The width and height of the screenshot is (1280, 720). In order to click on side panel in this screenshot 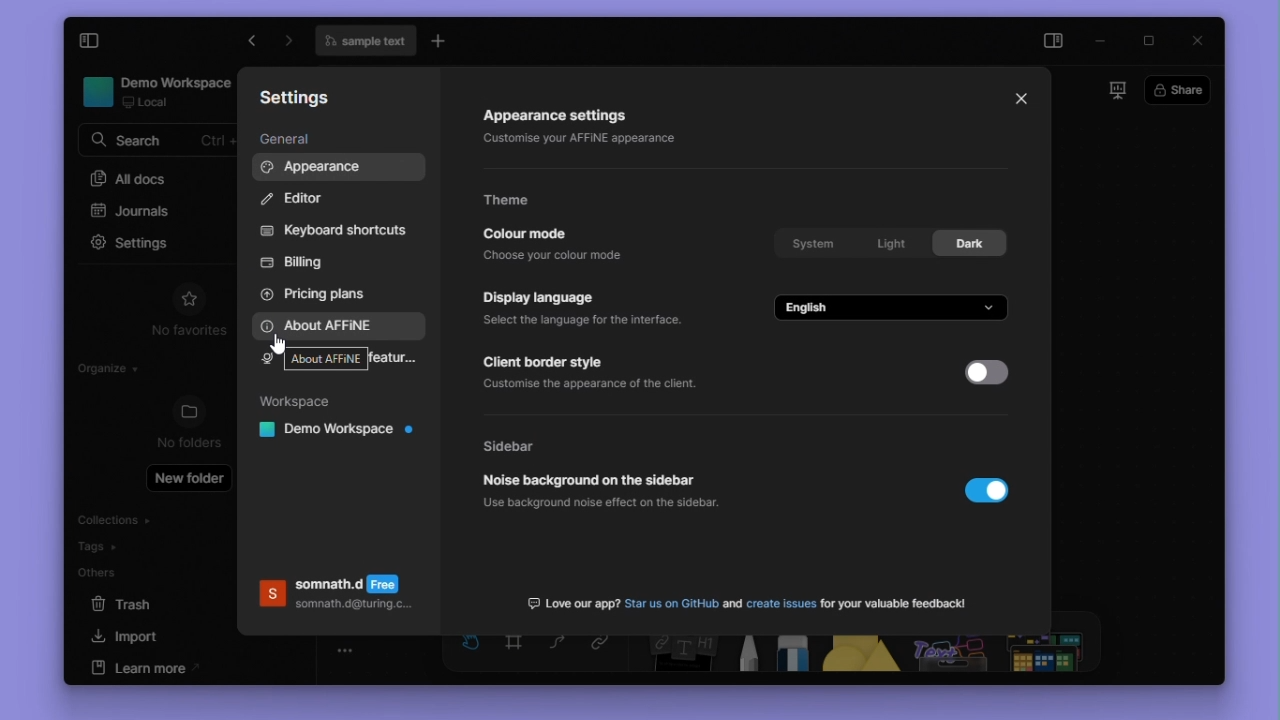, I will do `click(1057, 40)`.